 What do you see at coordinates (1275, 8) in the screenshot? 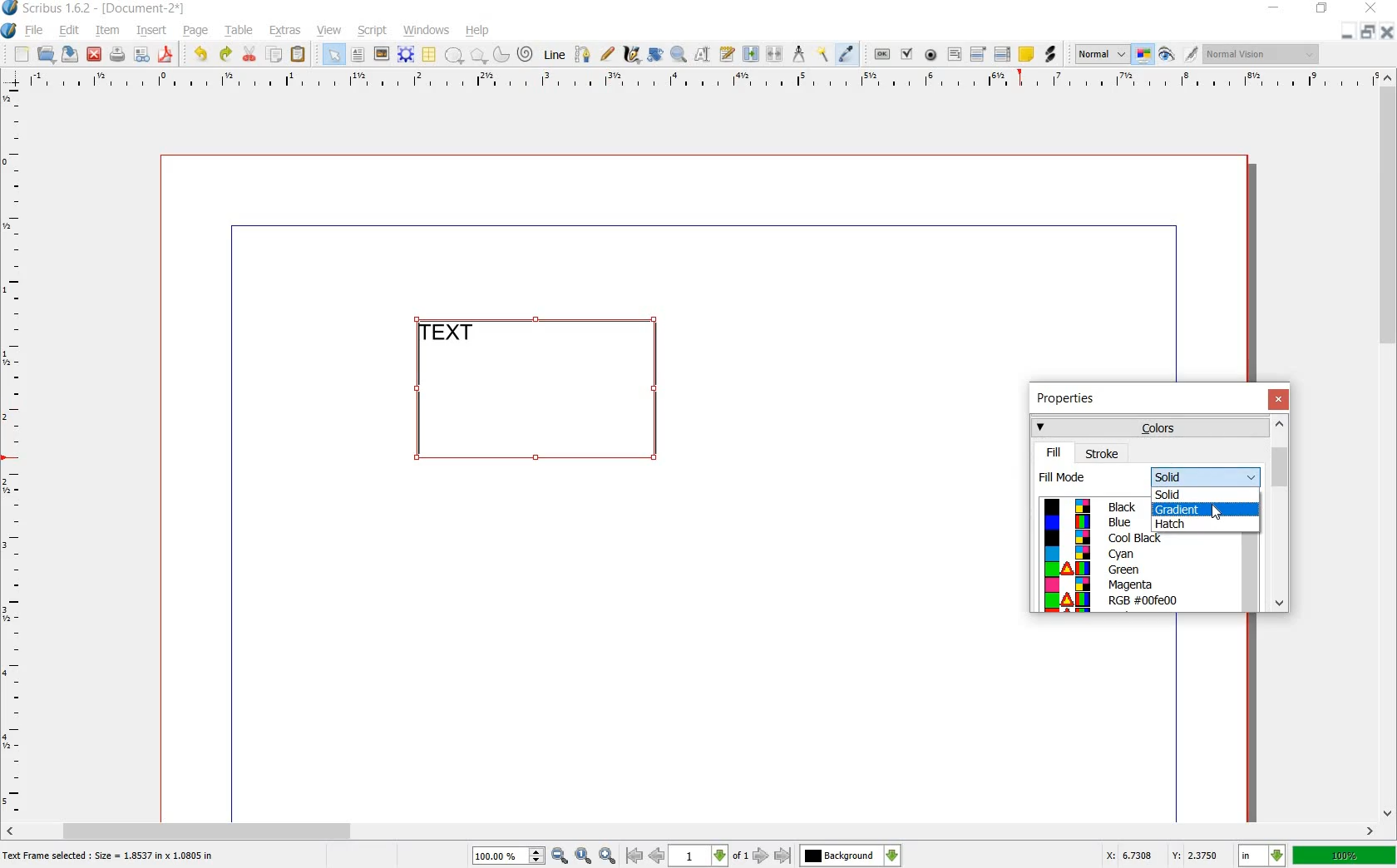
I see `minimize` at bounding box center [1275, 8].